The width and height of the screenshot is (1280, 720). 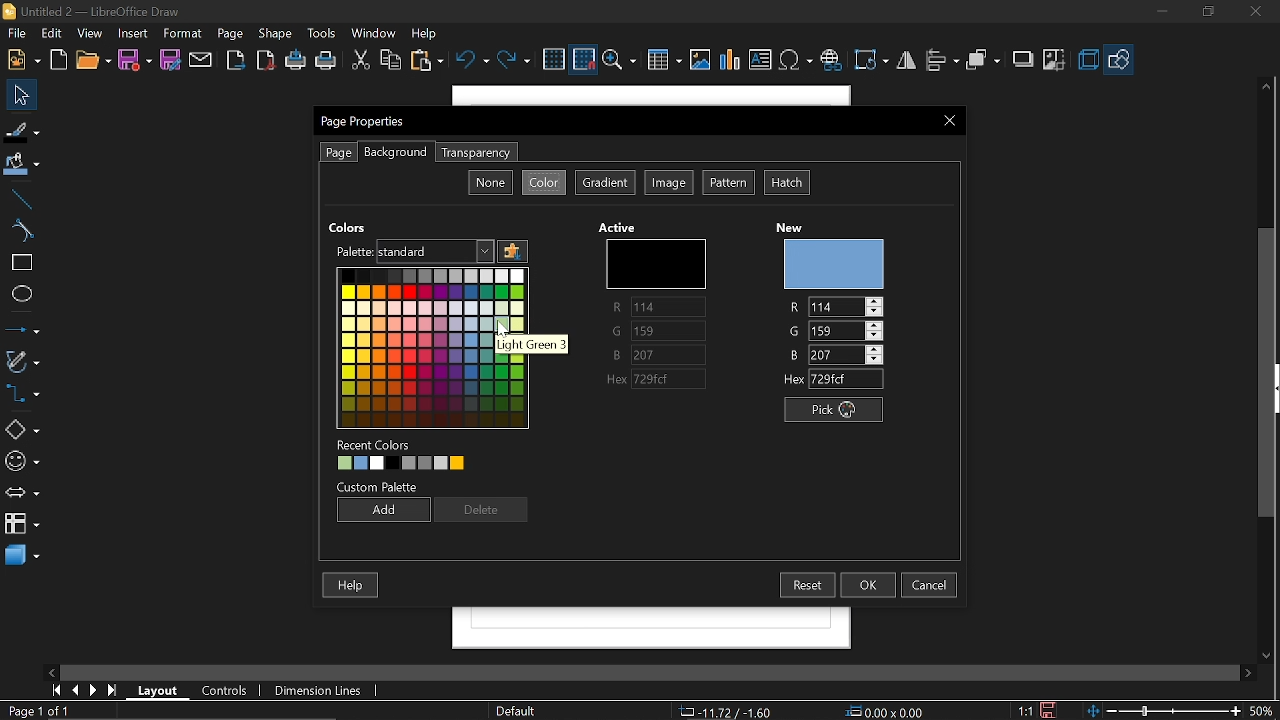 What do you see at coordinates (518, 711) in the screenshot?
I see `Page Style` at bounding box center [518, 711].